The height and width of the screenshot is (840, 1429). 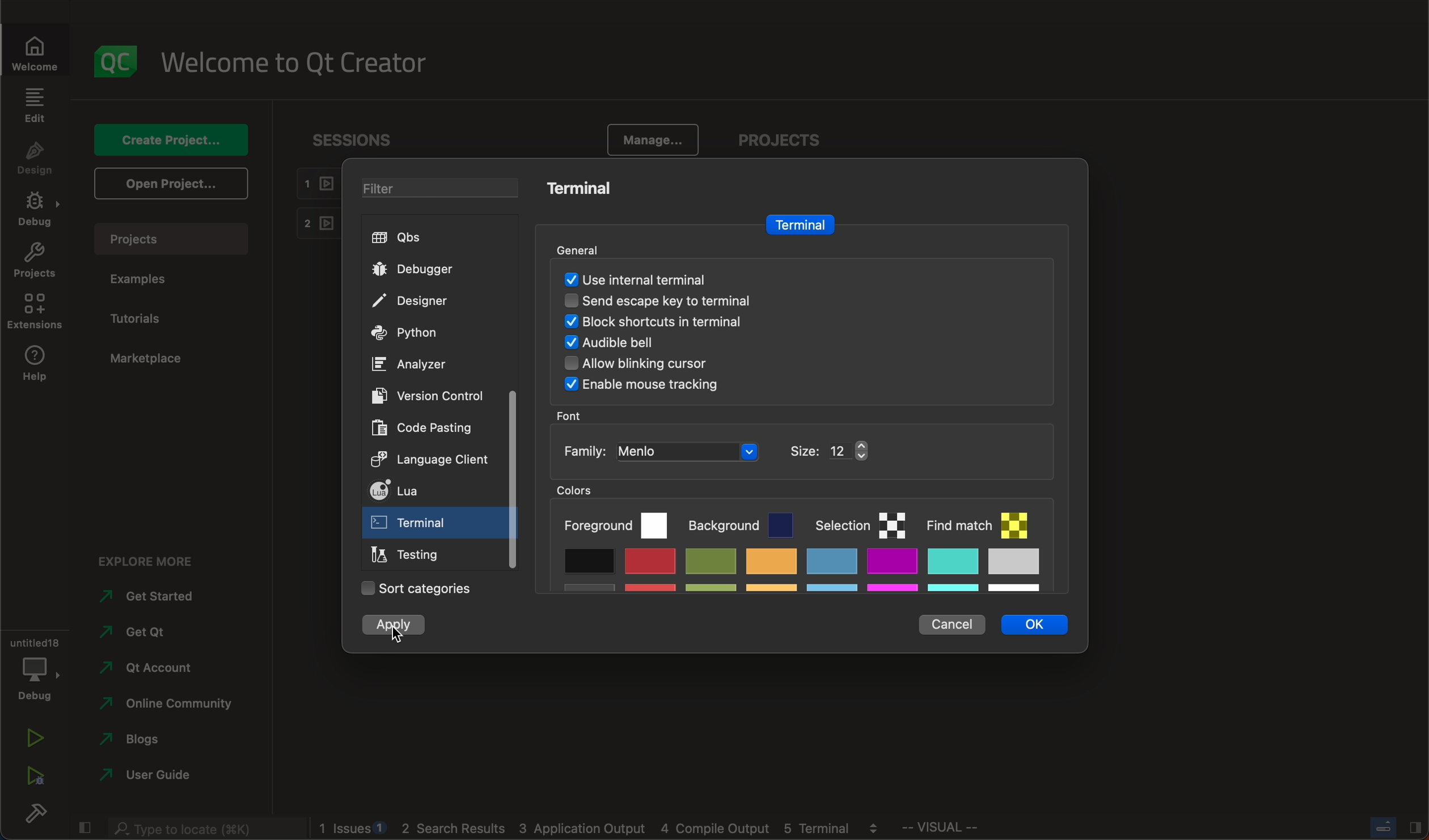 I want to click on close slidebar, so click(x=1390, y=829).